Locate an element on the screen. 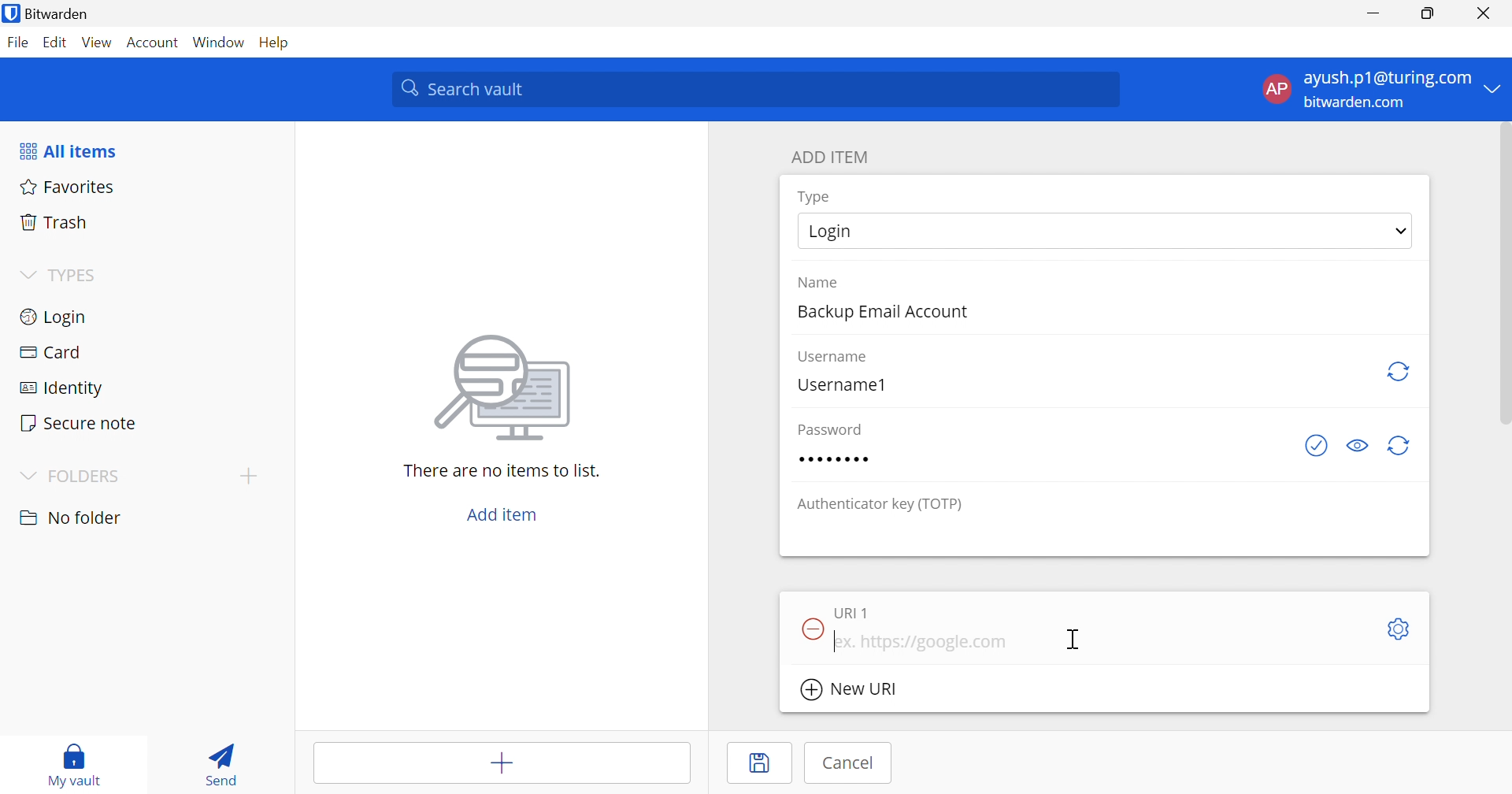 The width and height of the screenshot is (1512, 794). image is located at coordinates (503, 391).